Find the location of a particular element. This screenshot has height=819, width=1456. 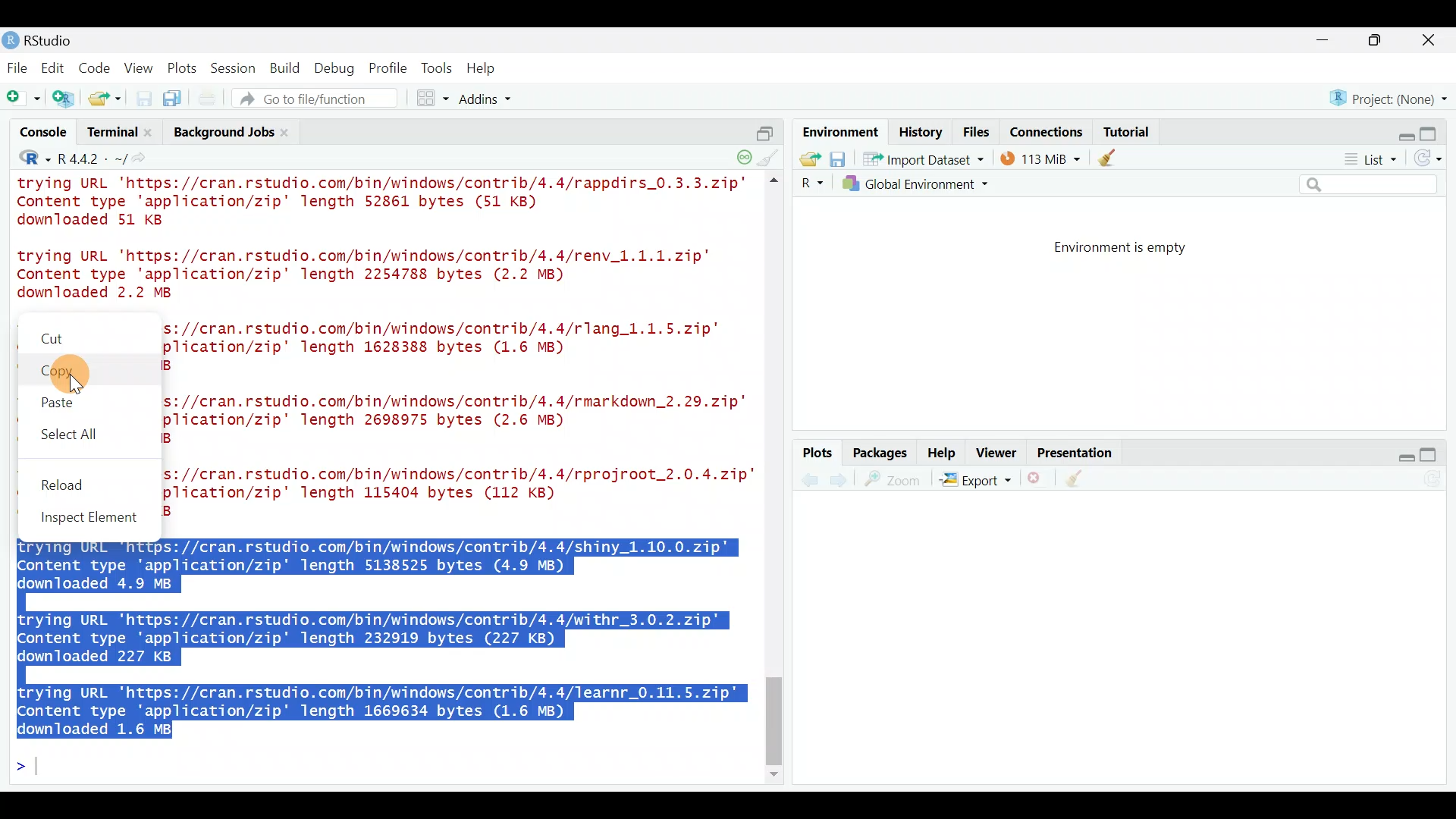

RStudio is located at coordinates (45, 40).